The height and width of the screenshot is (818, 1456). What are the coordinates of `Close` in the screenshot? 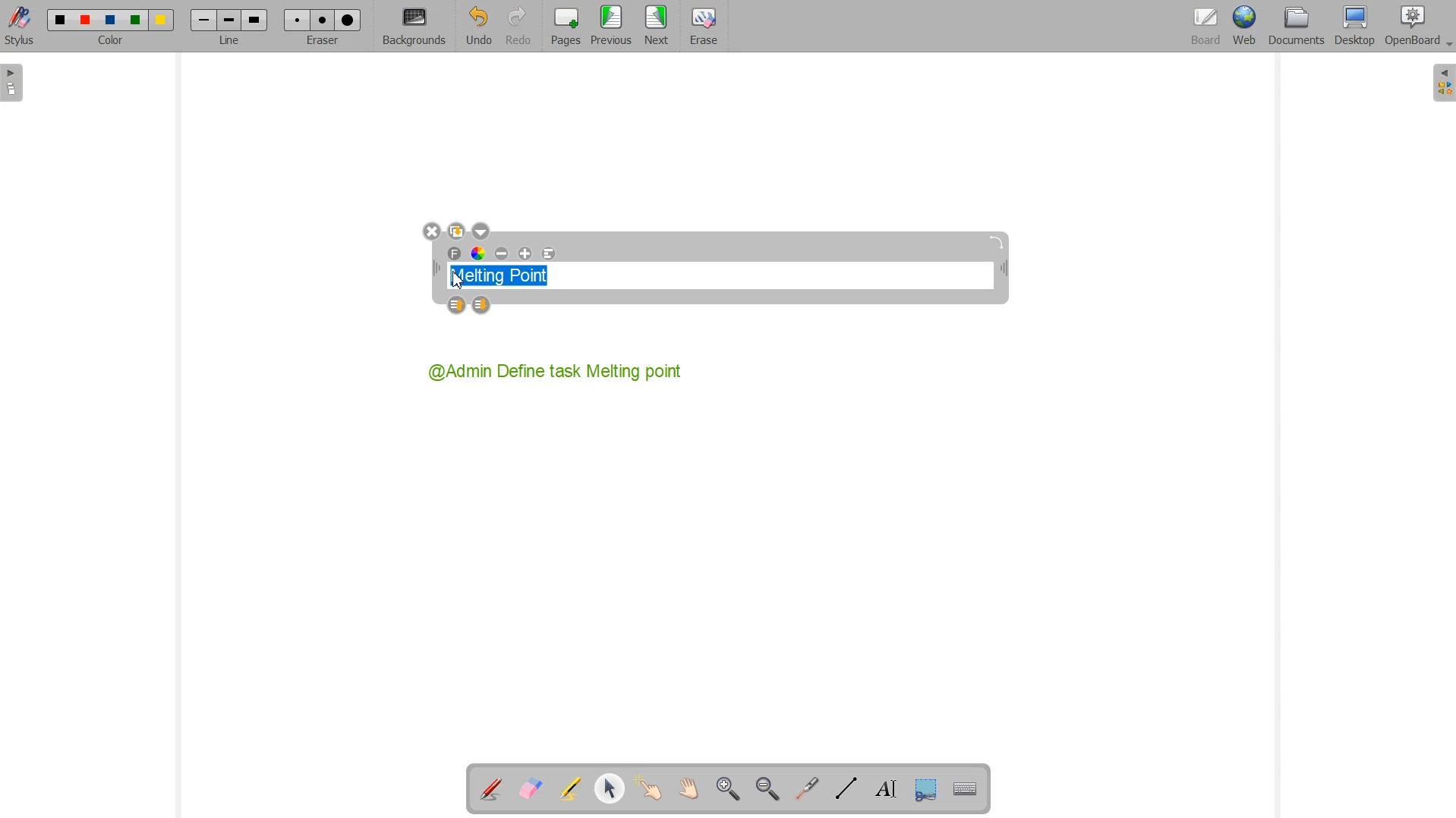 It's located at (431, 232).